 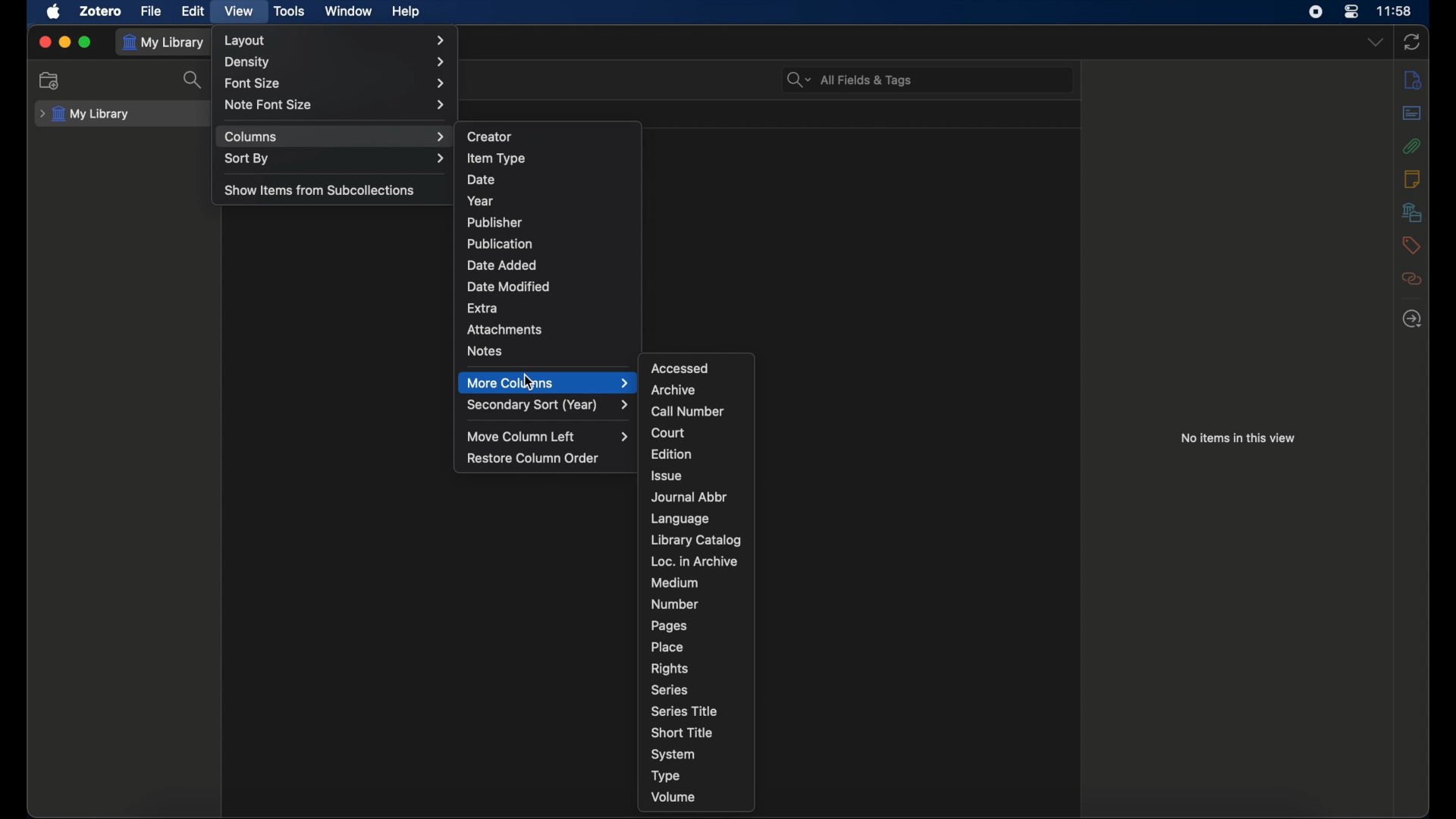 What do you see at coordinates (85, 42) in the screenshot?
I see `maximize` at bounding box center [85, 42].